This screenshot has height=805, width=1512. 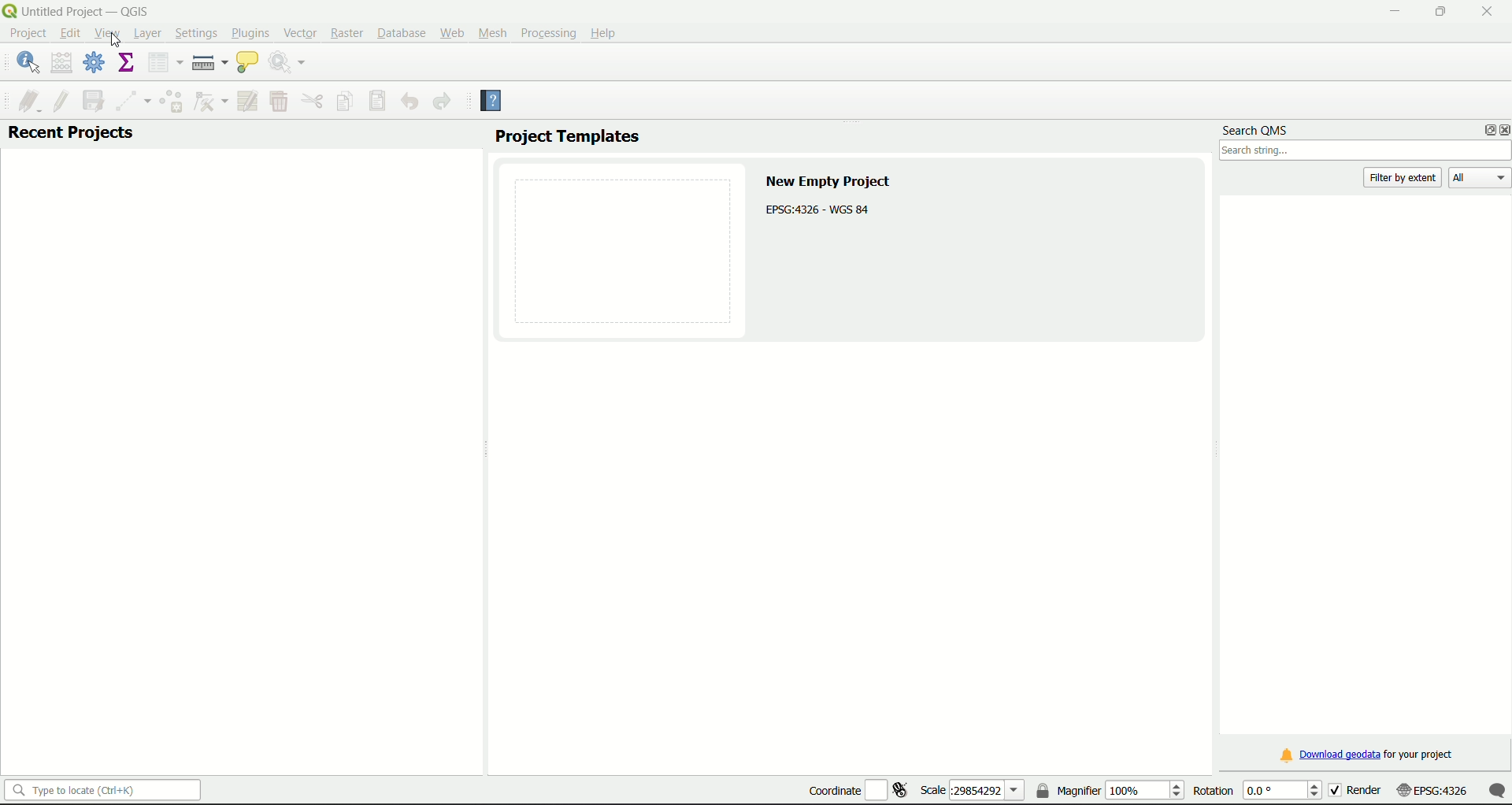 What do you see at coordinates (1484, 130) in the screenshot?
I see `options` at bounding box center [1484, 130].